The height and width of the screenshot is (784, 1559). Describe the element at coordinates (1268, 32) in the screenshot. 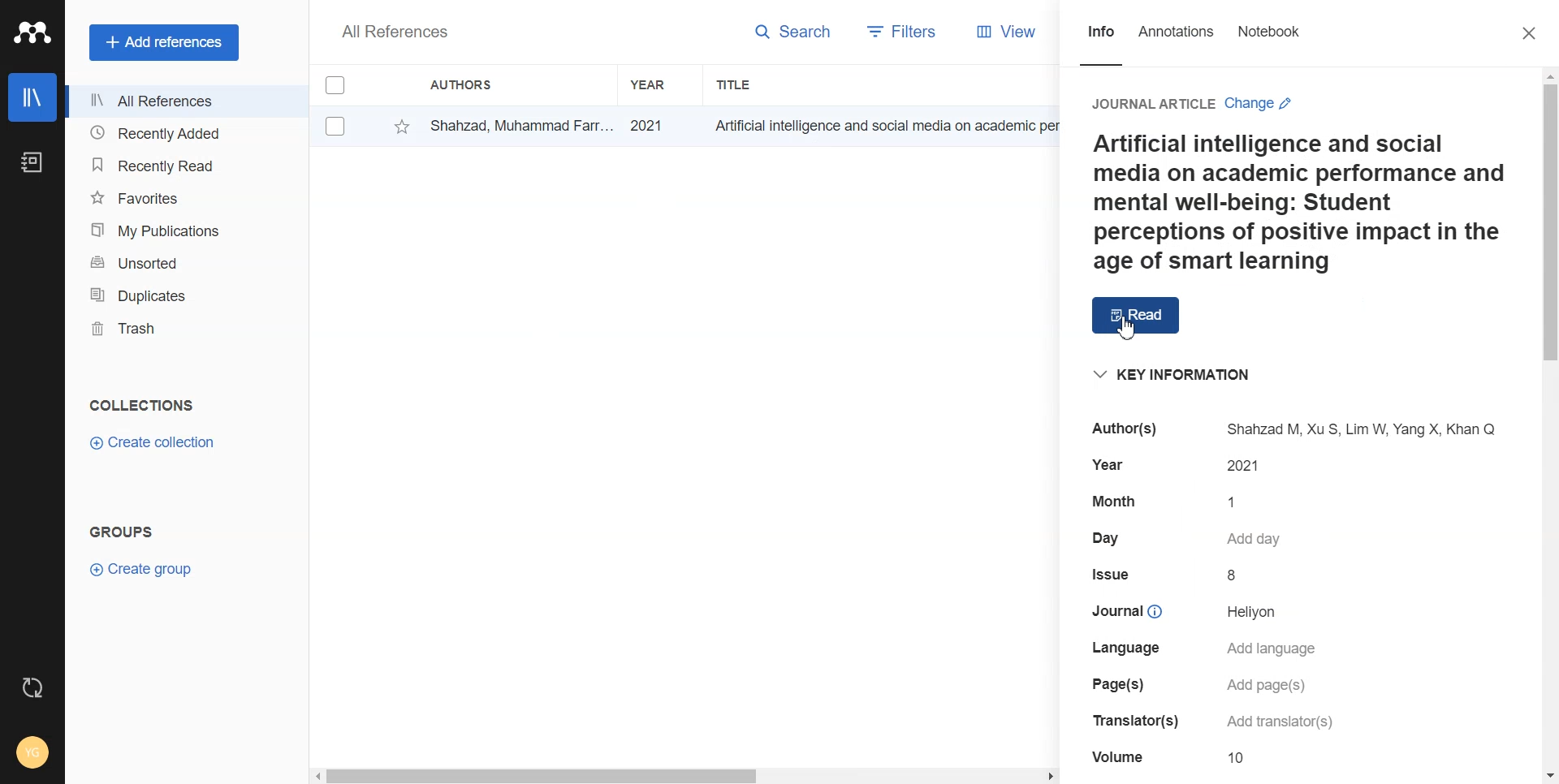

I see `Notebook` at that location.